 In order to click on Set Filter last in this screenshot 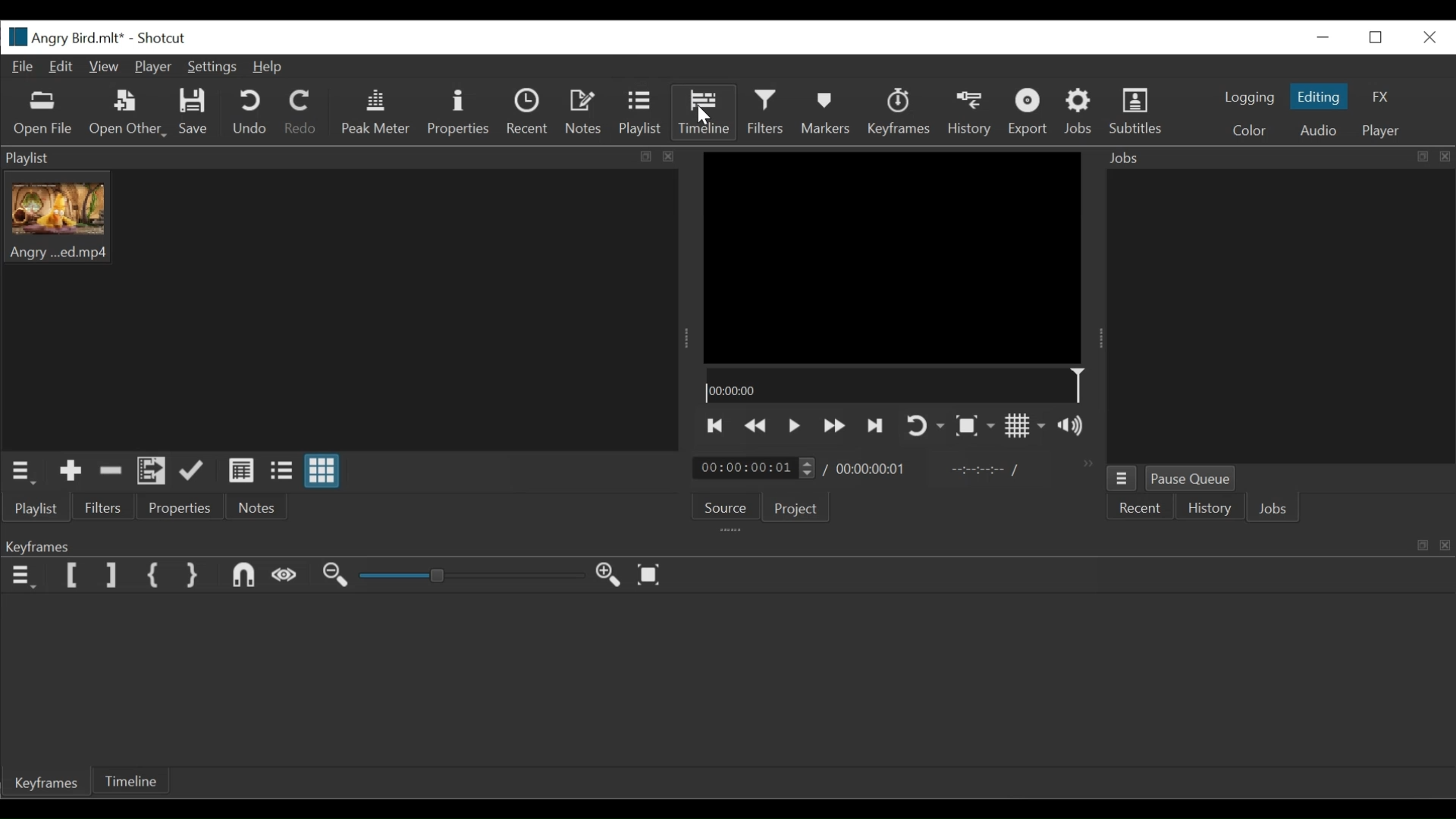, I will do `click(115, 574)`.